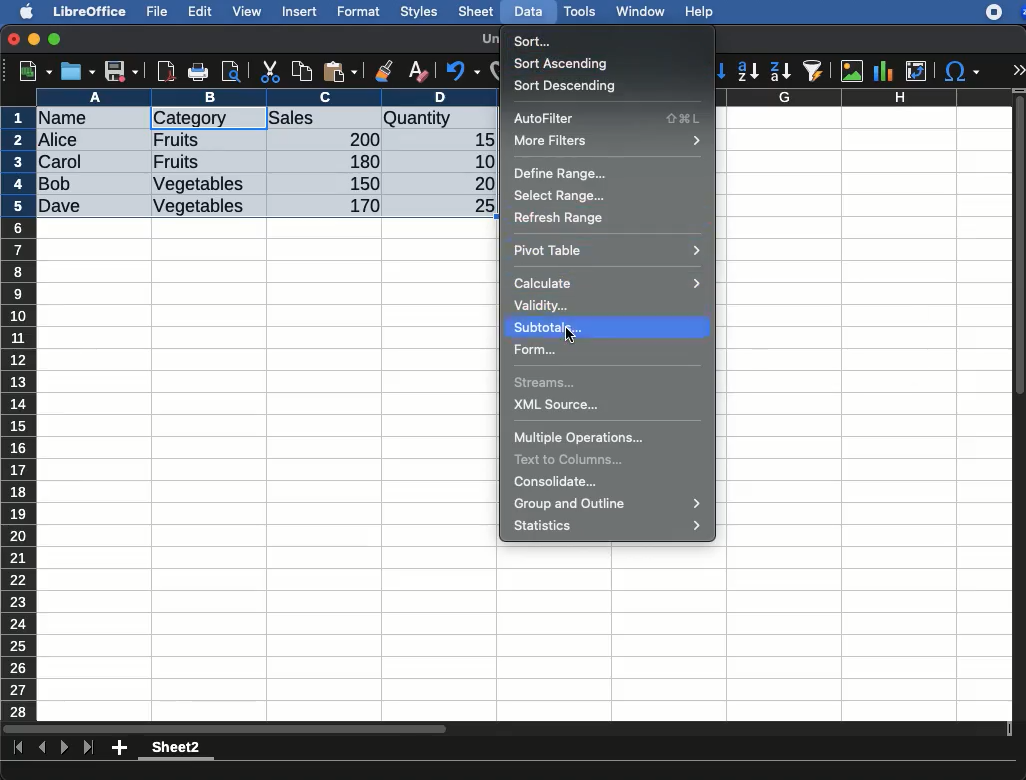 Image resolution: width=1026 pixels, height=780 pixels. Describe the element at coordinates (536, 41) in the screenshot. I see `sort` at that location.